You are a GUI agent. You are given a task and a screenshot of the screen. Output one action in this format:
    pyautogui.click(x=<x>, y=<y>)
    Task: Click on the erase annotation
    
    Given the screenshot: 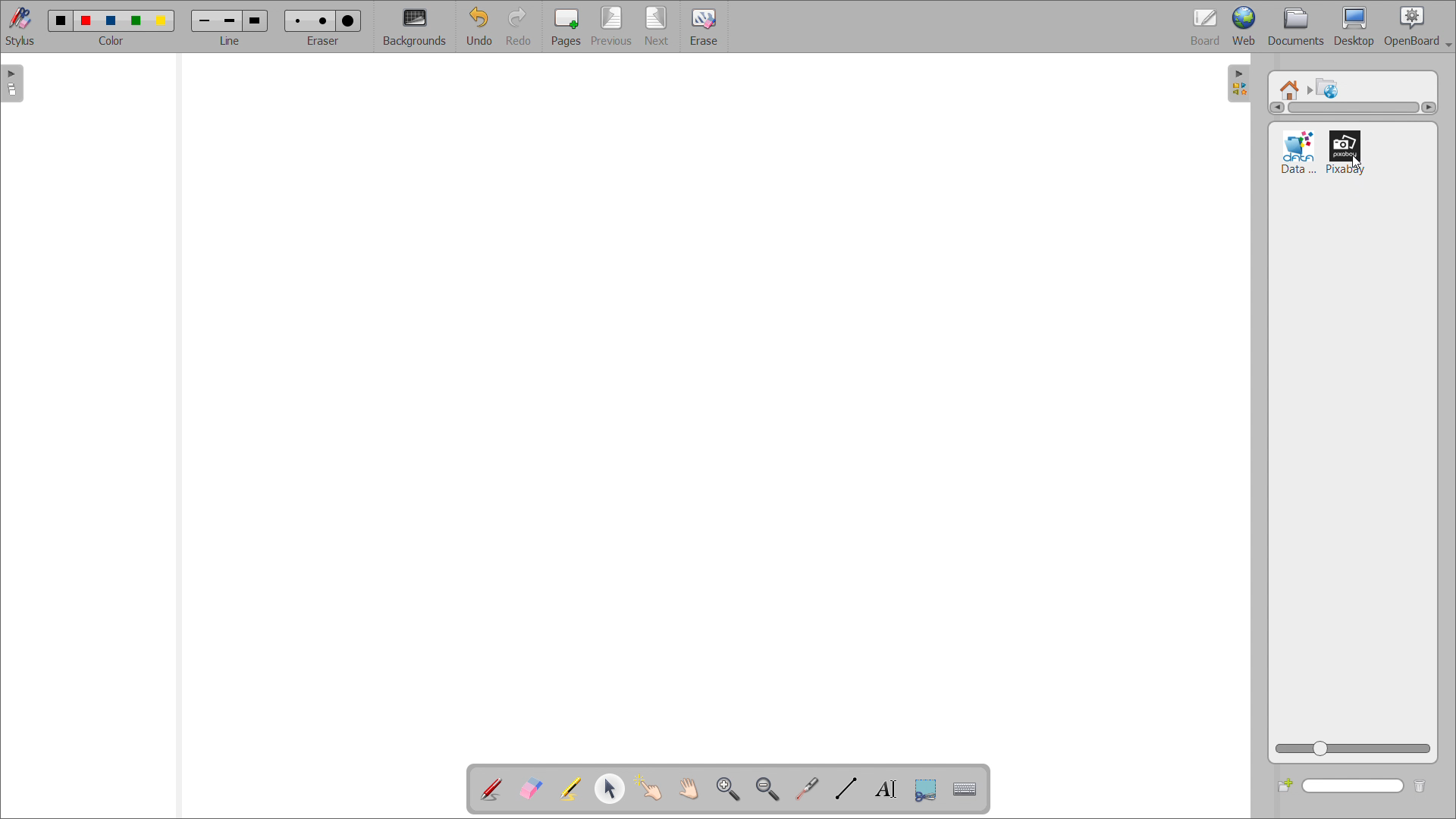 What is the action you would take?
    pyautogui.click(x=532, y=788)
    